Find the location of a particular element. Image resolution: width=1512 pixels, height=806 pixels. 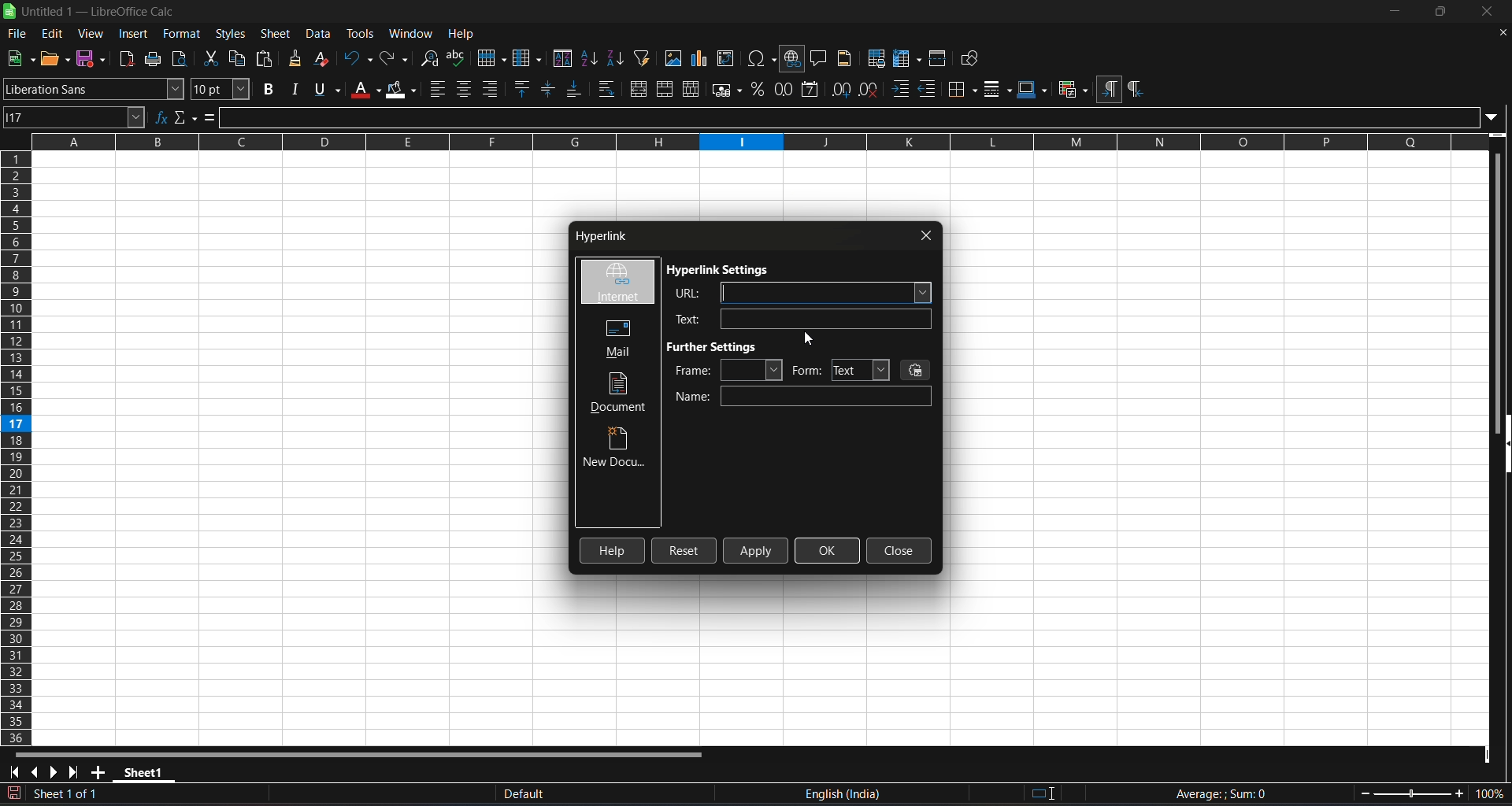

freeze row and column is located at coordinates (907, 57).